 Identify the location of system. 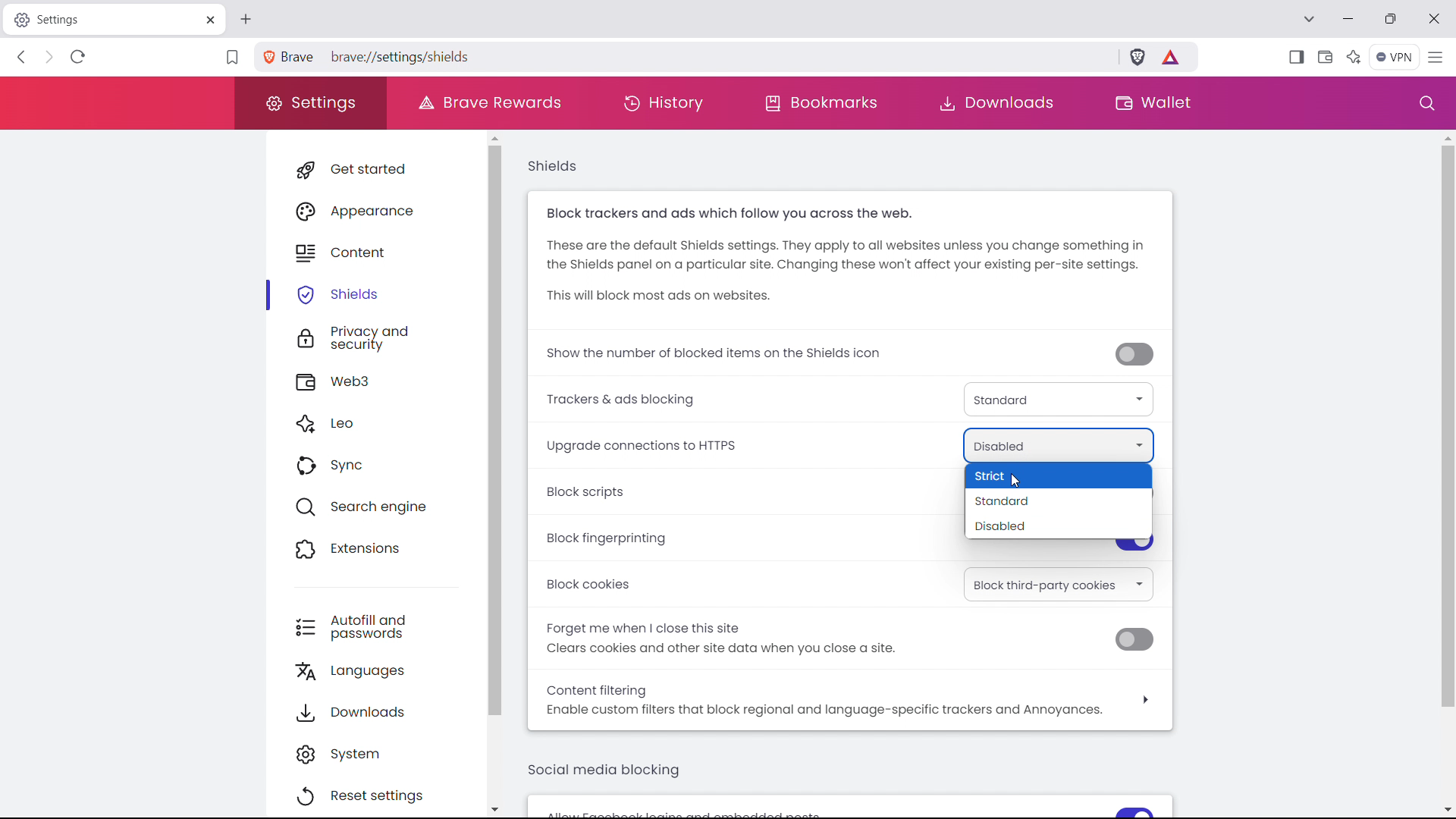
(380, 752).